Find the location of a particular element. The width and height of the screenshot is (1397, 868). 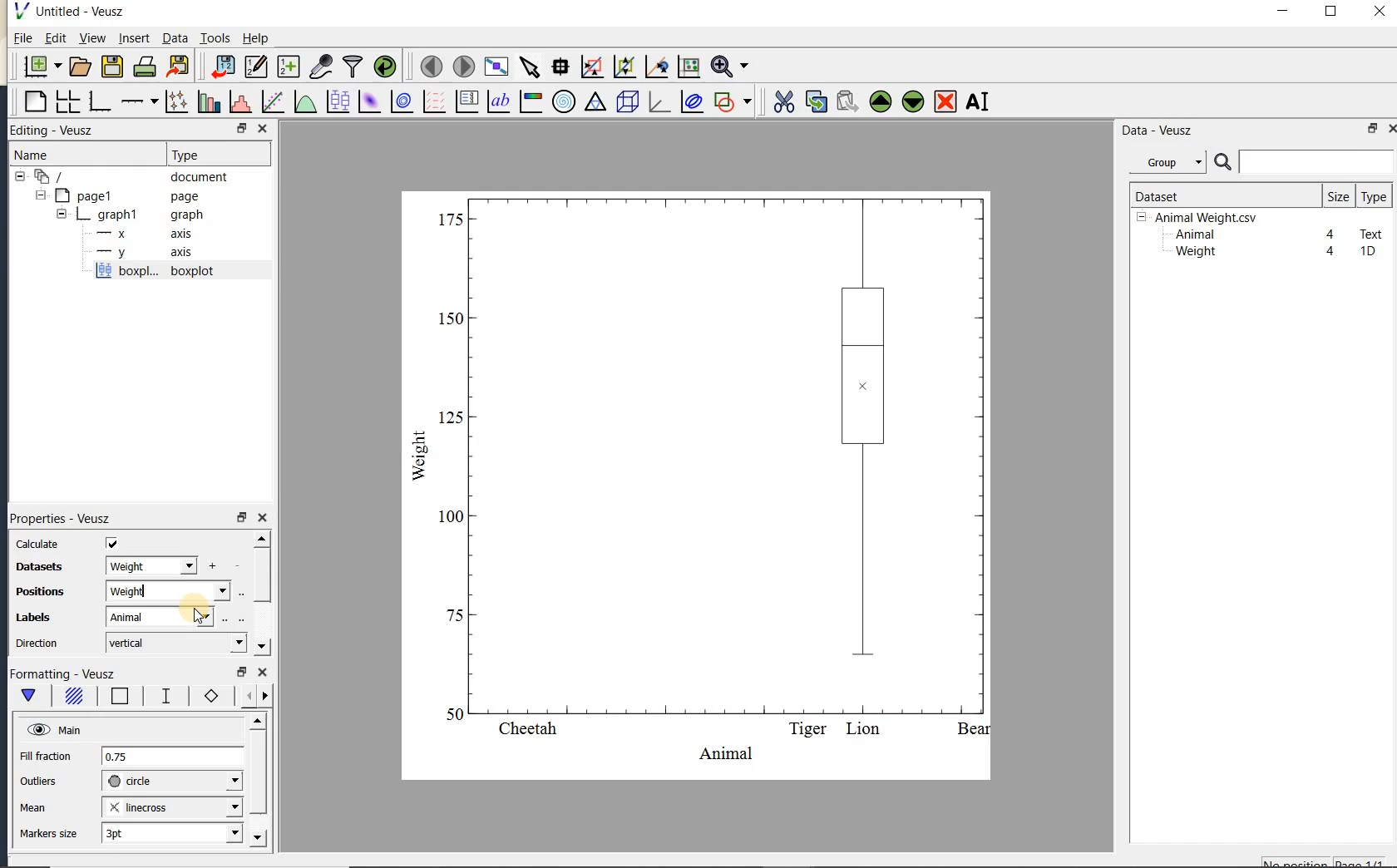

search datasets is located at coordinates (1304, 162).